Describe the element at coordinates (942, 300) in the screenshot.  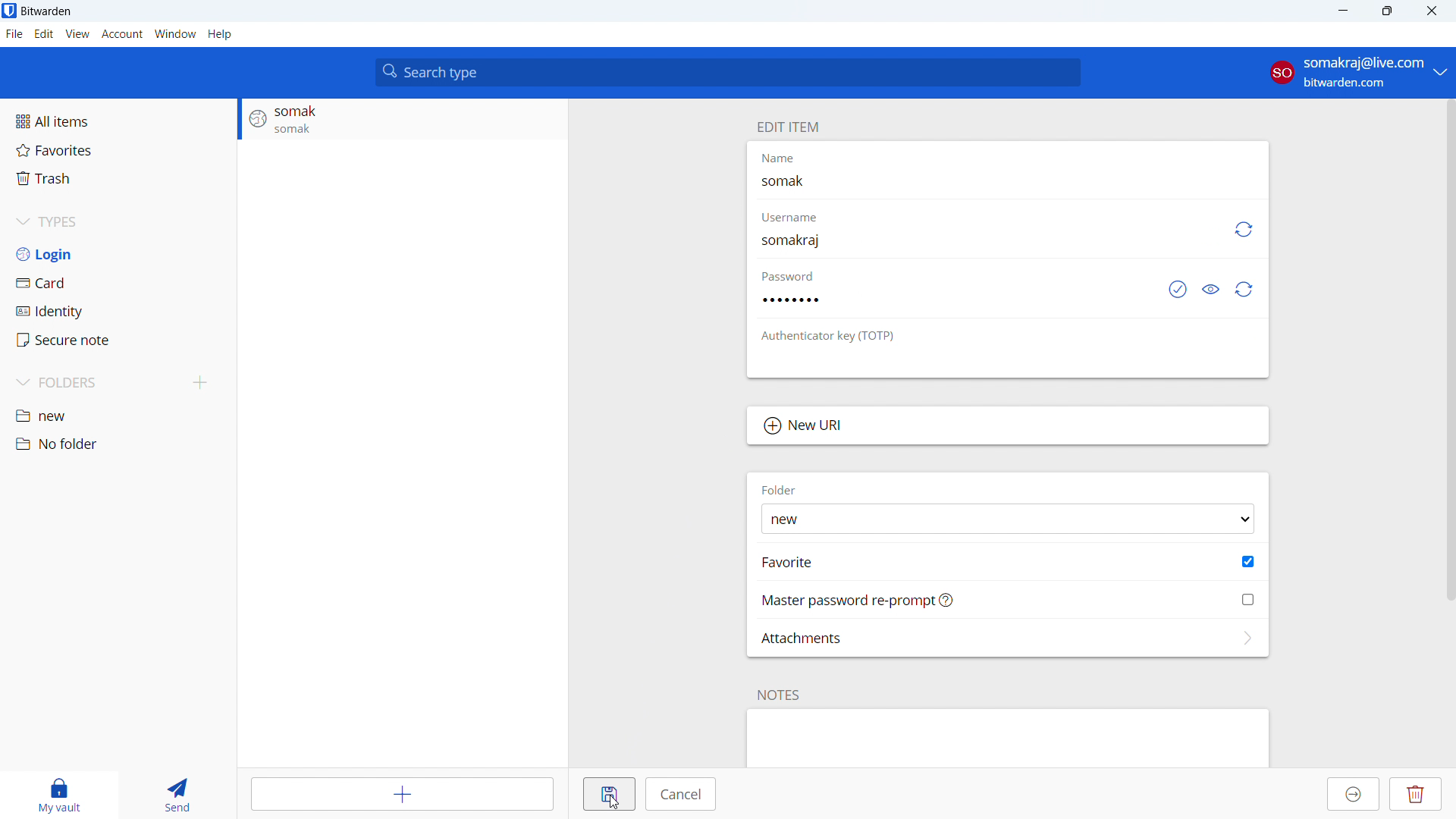
I see `edit password` at that location.